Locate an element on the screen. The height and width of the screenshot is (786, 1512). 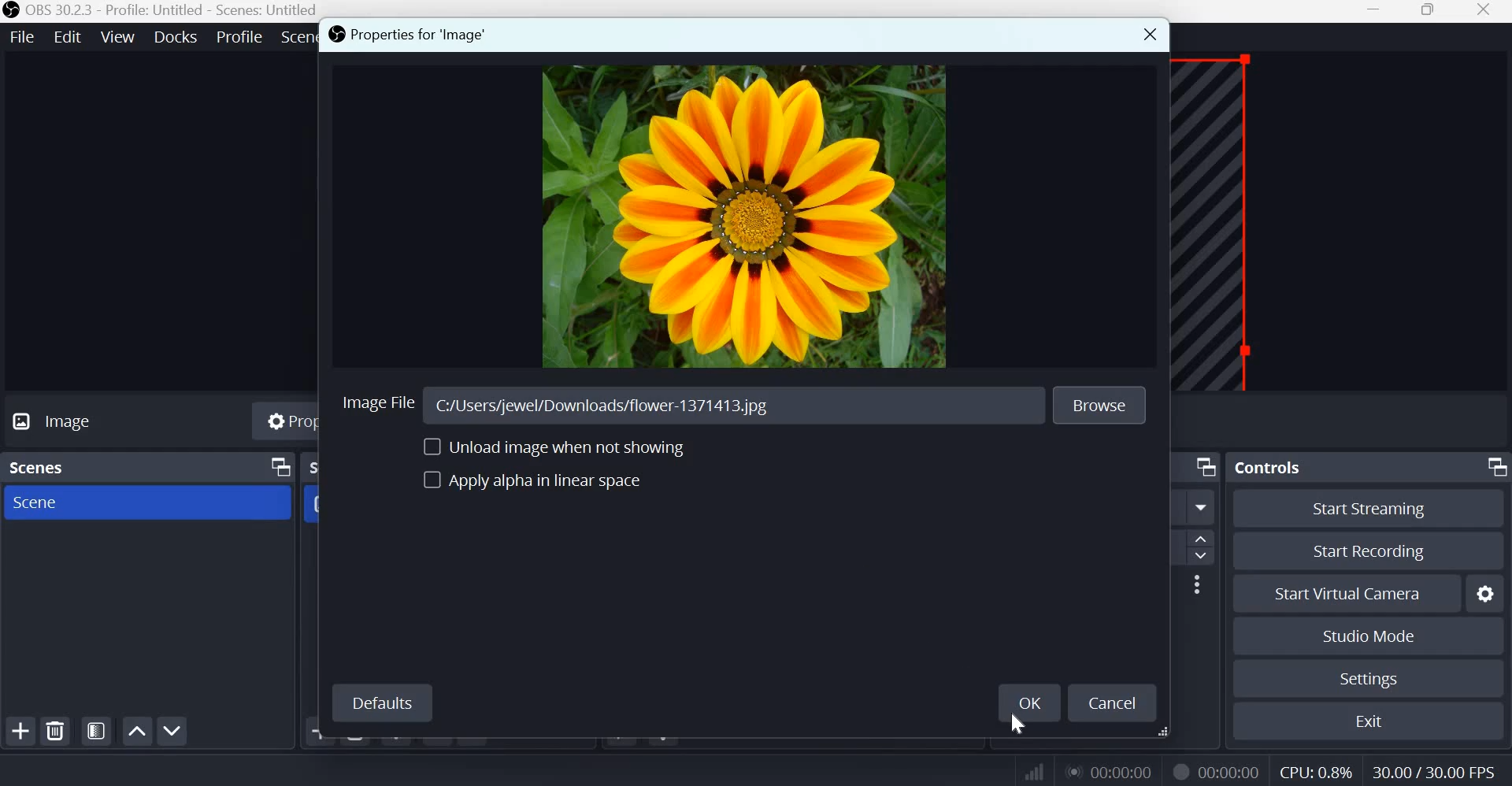
Recording Status Icon is located at coordinates (1180, 771).